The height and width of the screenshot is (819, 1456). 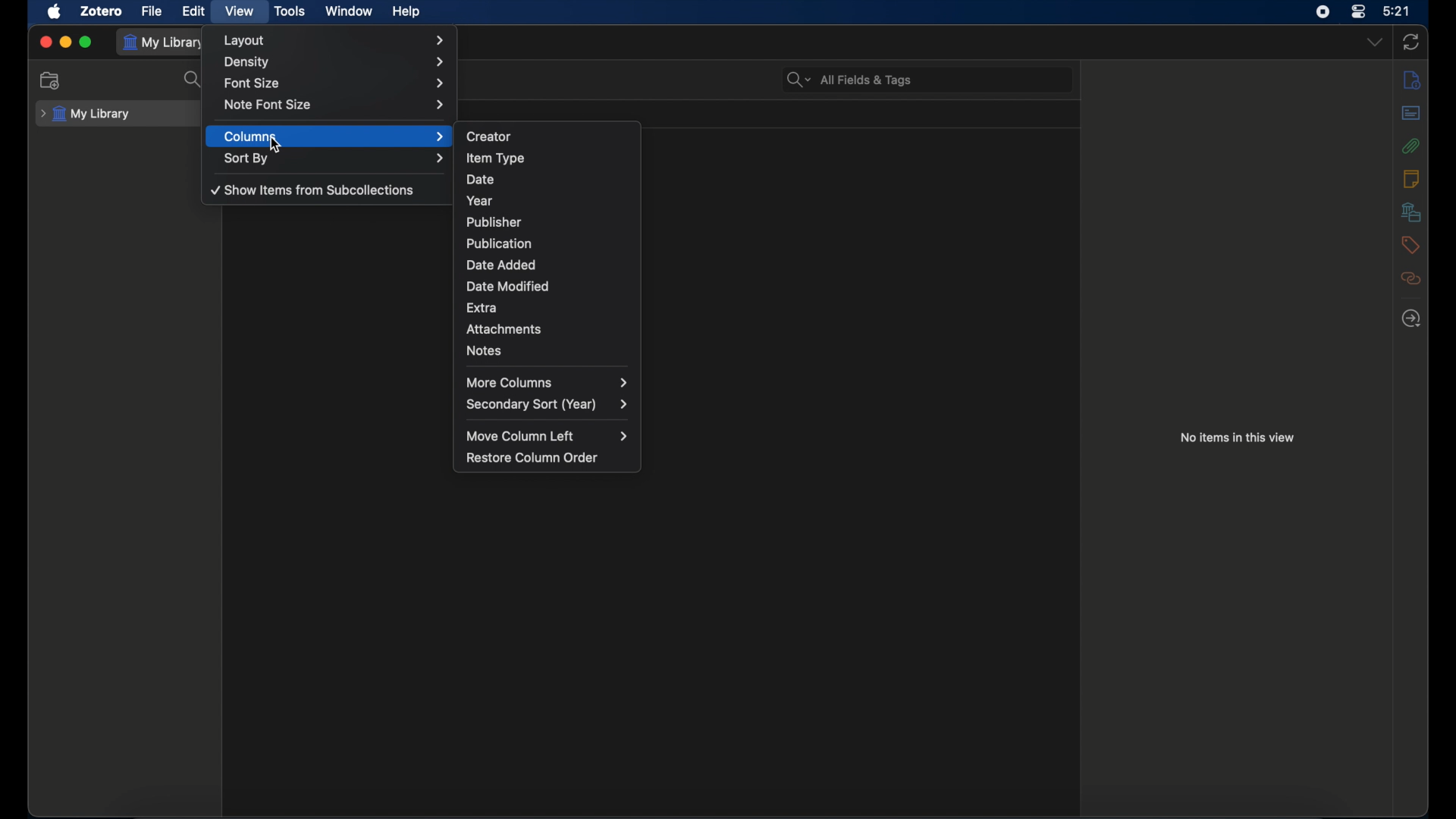 What do you see at coordinates (238, 11) in the screenshot?
I see `view` at bounding box center [238, 11].